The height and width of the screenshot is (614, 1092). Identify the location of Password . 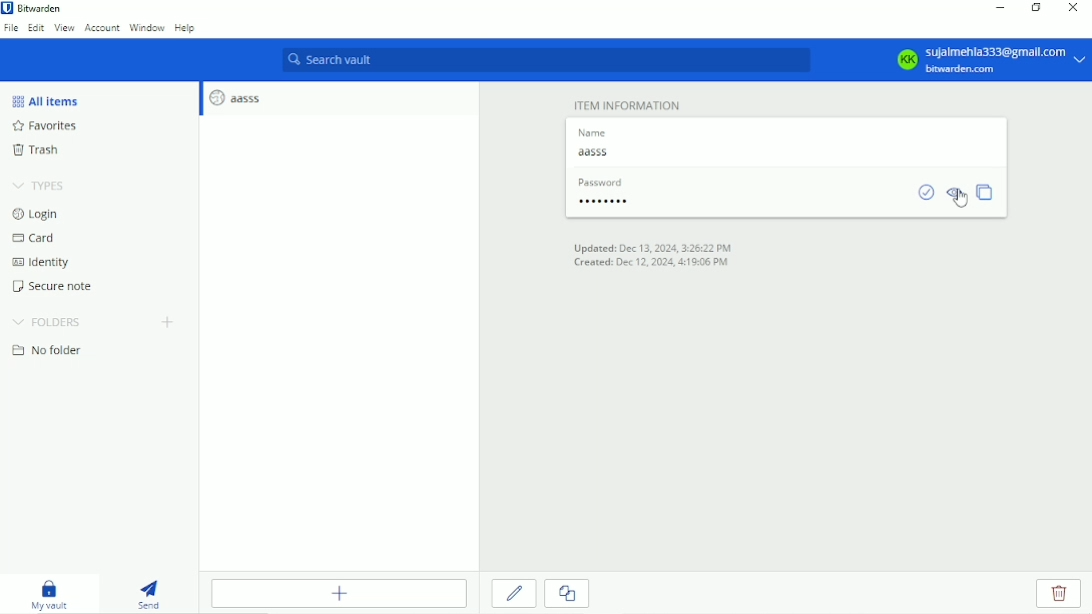
(605, 203).